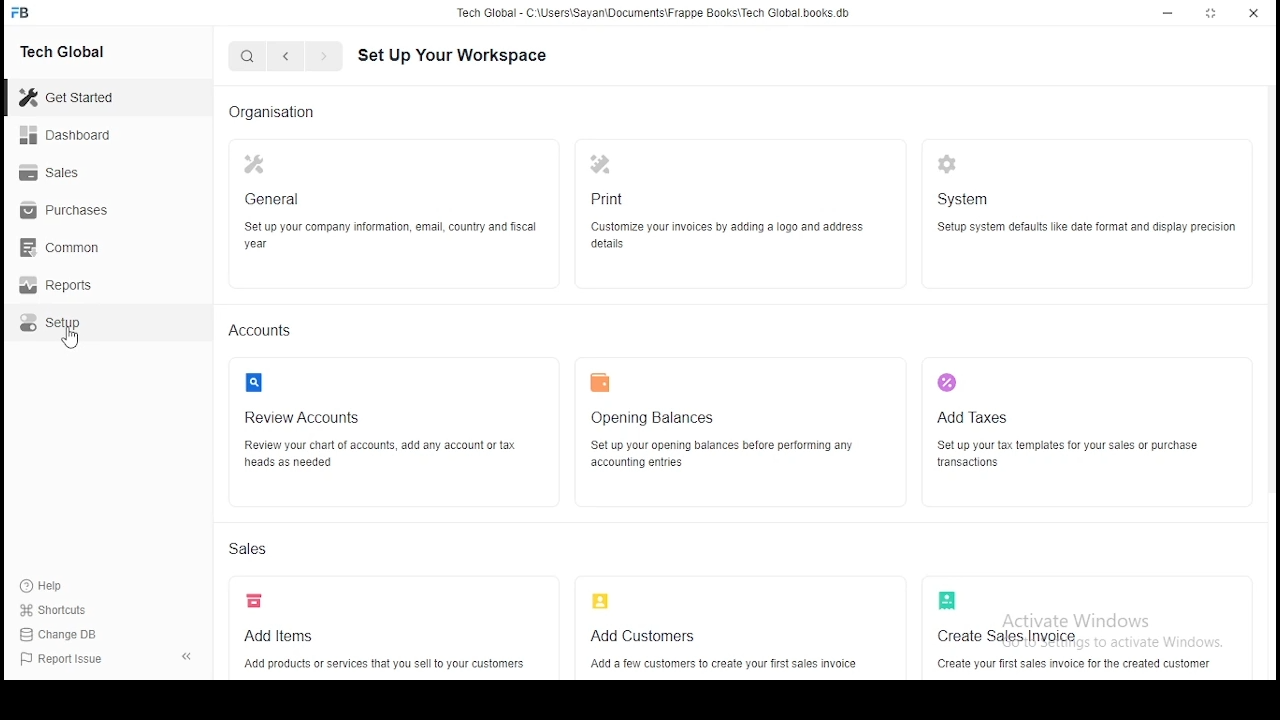 This screenshot has height=720, width=1280. What do you see at coordinates (252, 552) in the screenshot?
I see `Sales ` at bounding box center [252, 552].